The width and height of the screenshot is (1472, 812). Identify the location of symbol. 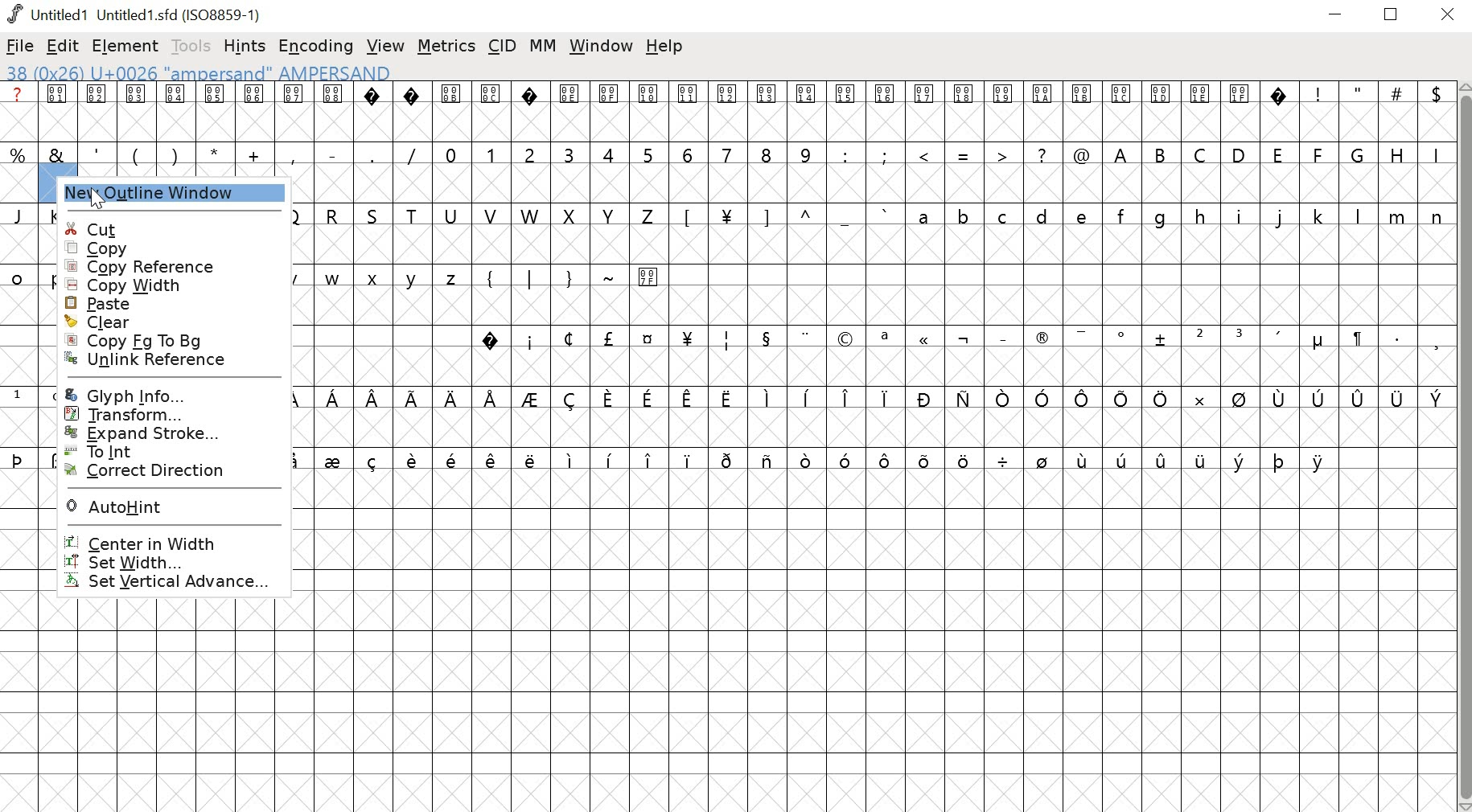
(925, 398).